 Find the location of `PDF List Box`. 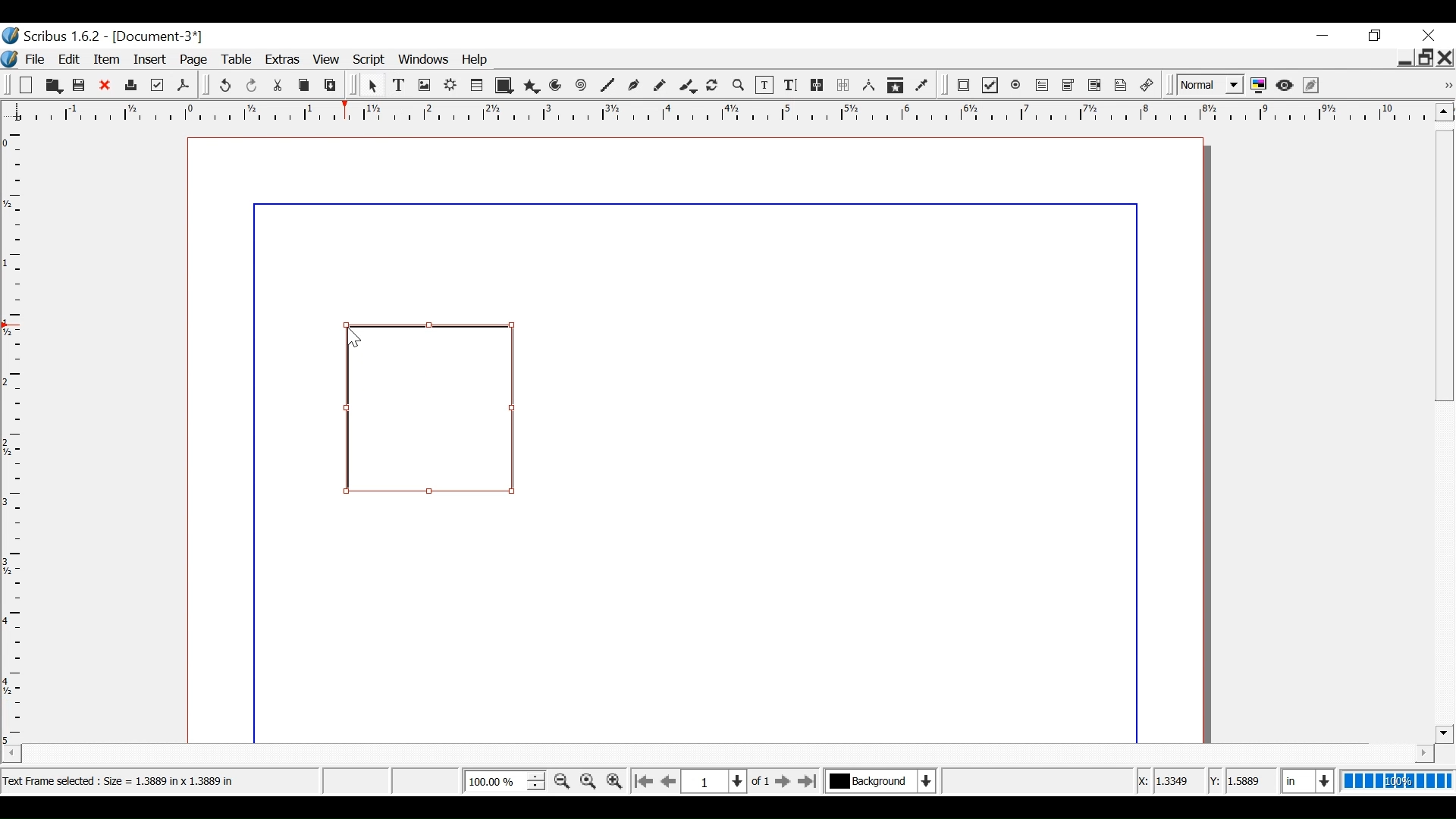

PDF List Box is located at coordinates (1095, 85).